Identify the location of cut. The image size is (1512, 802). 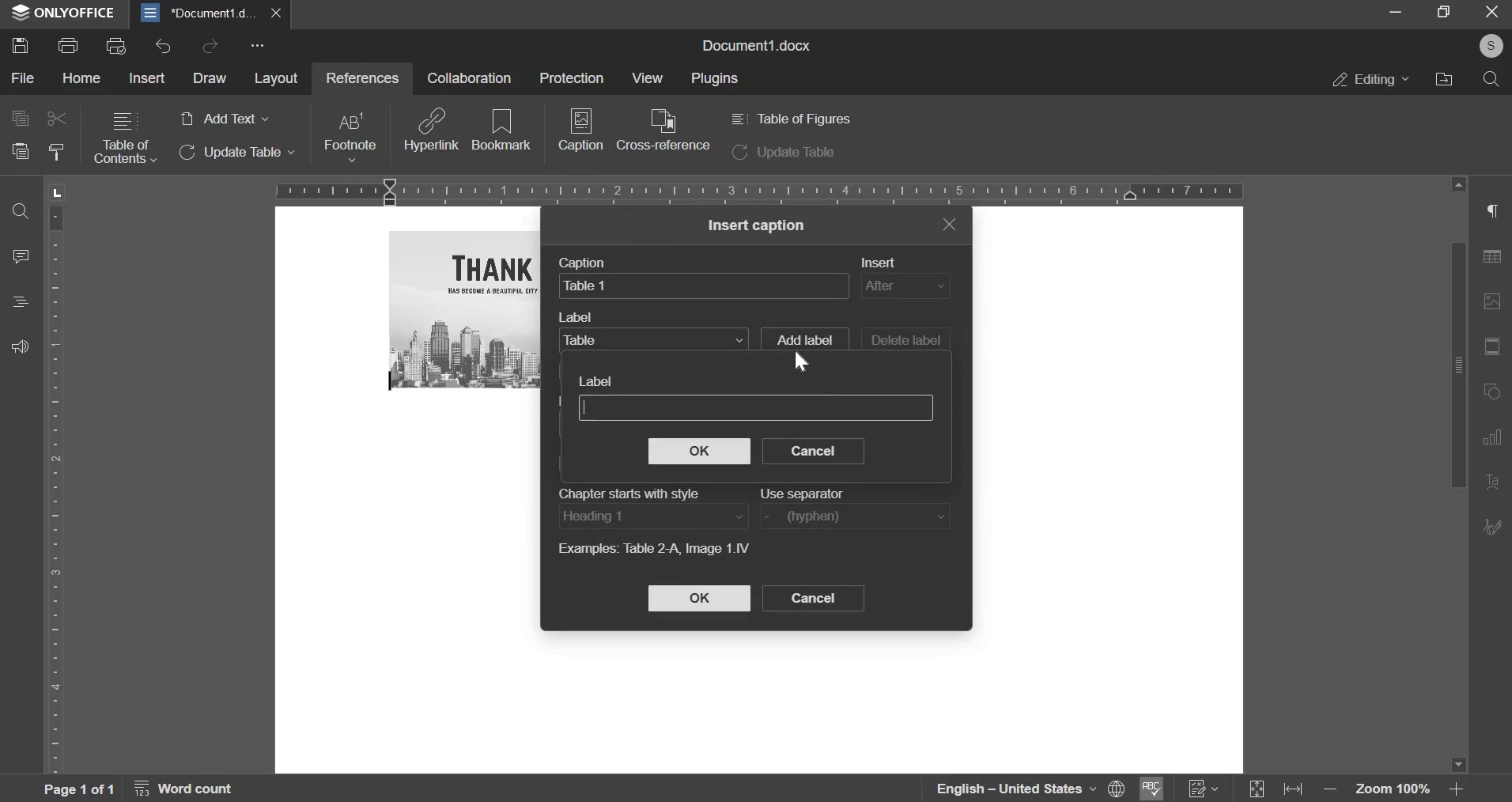
(58, 119).